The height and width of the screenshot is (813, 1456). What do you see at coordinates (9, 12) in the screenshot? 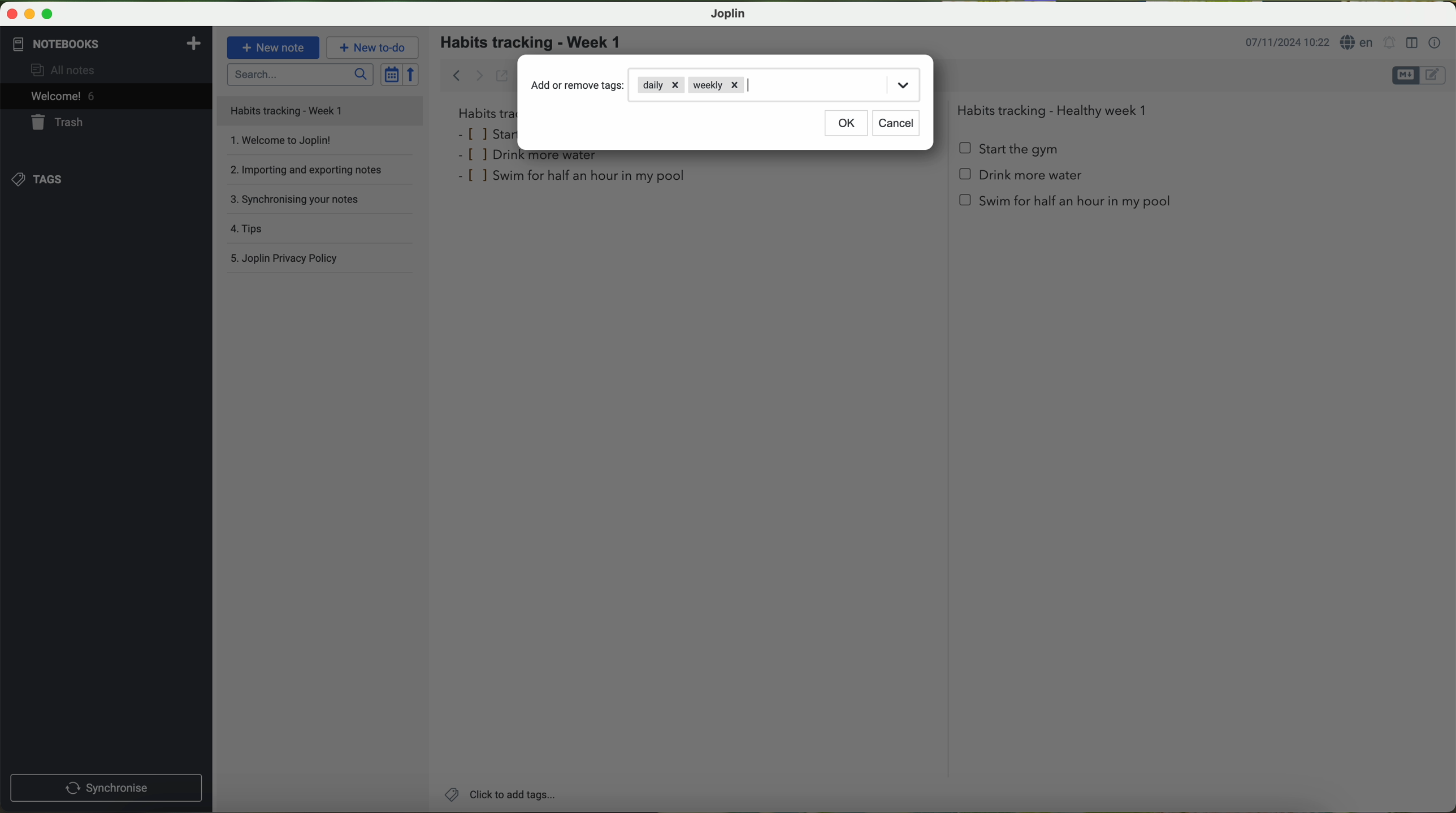
I see `close` at bounding box center [9, 12].